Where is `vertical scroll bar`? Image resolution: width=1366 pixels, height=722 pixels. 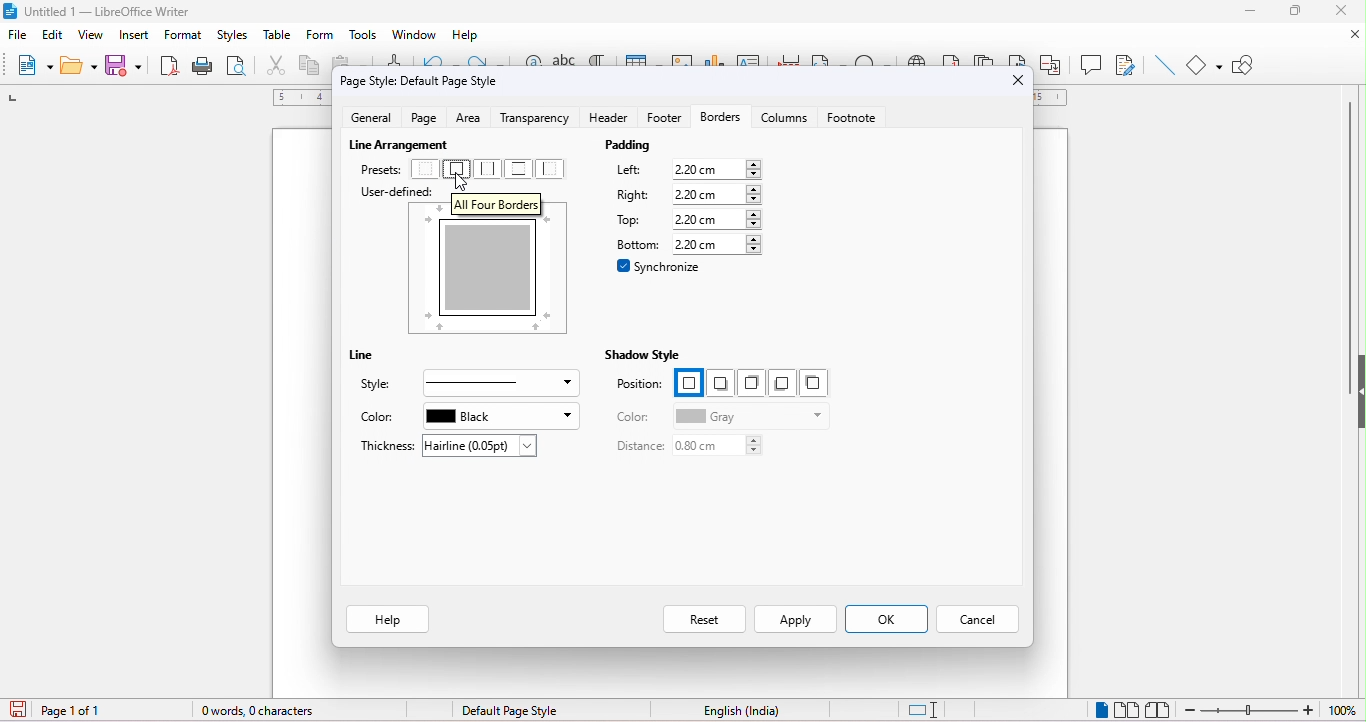
vertical scroll bar is located at coordinates (1351, 220).